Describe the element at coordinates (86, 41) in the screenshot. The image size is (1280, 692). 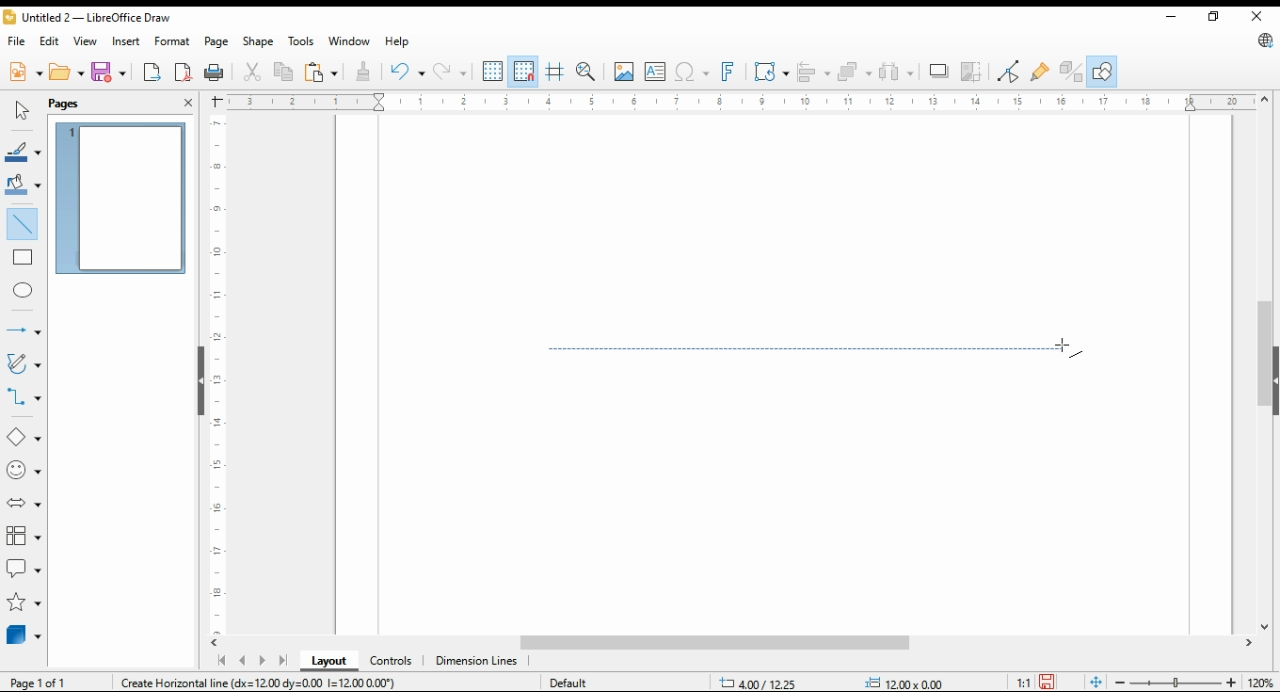
I see `view` at that location.